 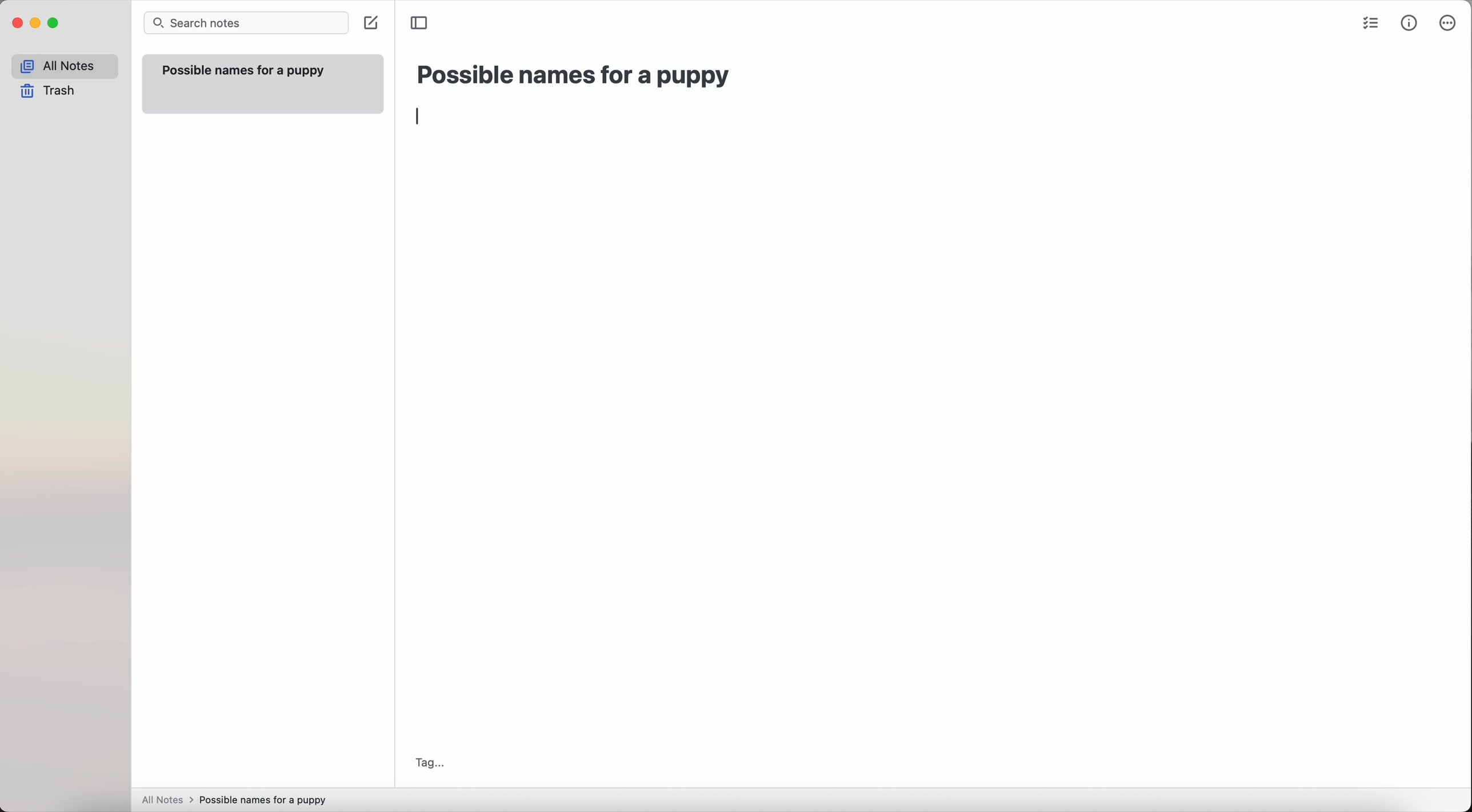 What do you see at coordinates (1449, 24) in the screenshot?
I see `more options` at bounding box center [1449, 24].